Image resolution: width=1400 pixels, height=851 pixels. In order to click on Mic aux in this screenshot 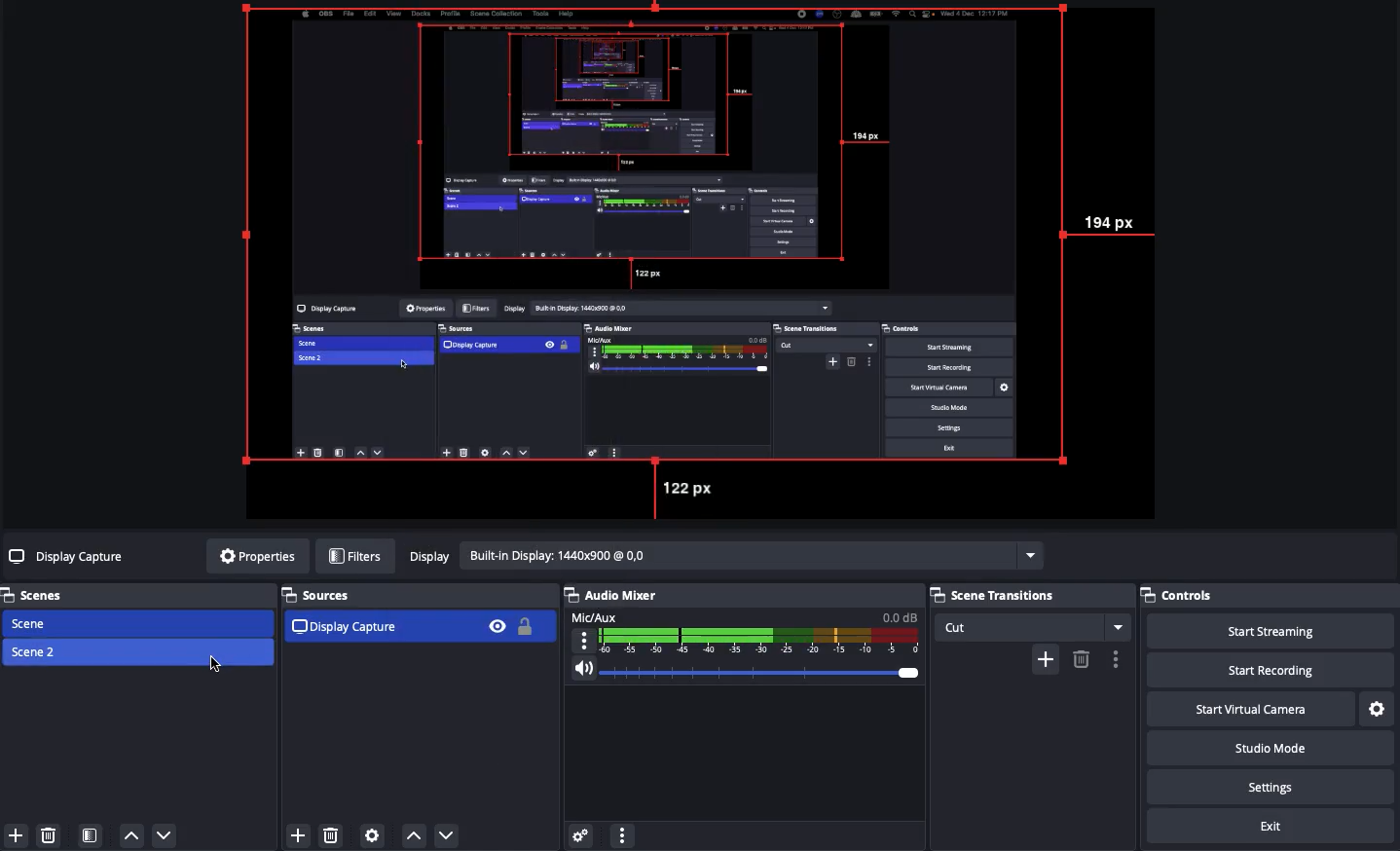, I will do `click(746, 631)`.